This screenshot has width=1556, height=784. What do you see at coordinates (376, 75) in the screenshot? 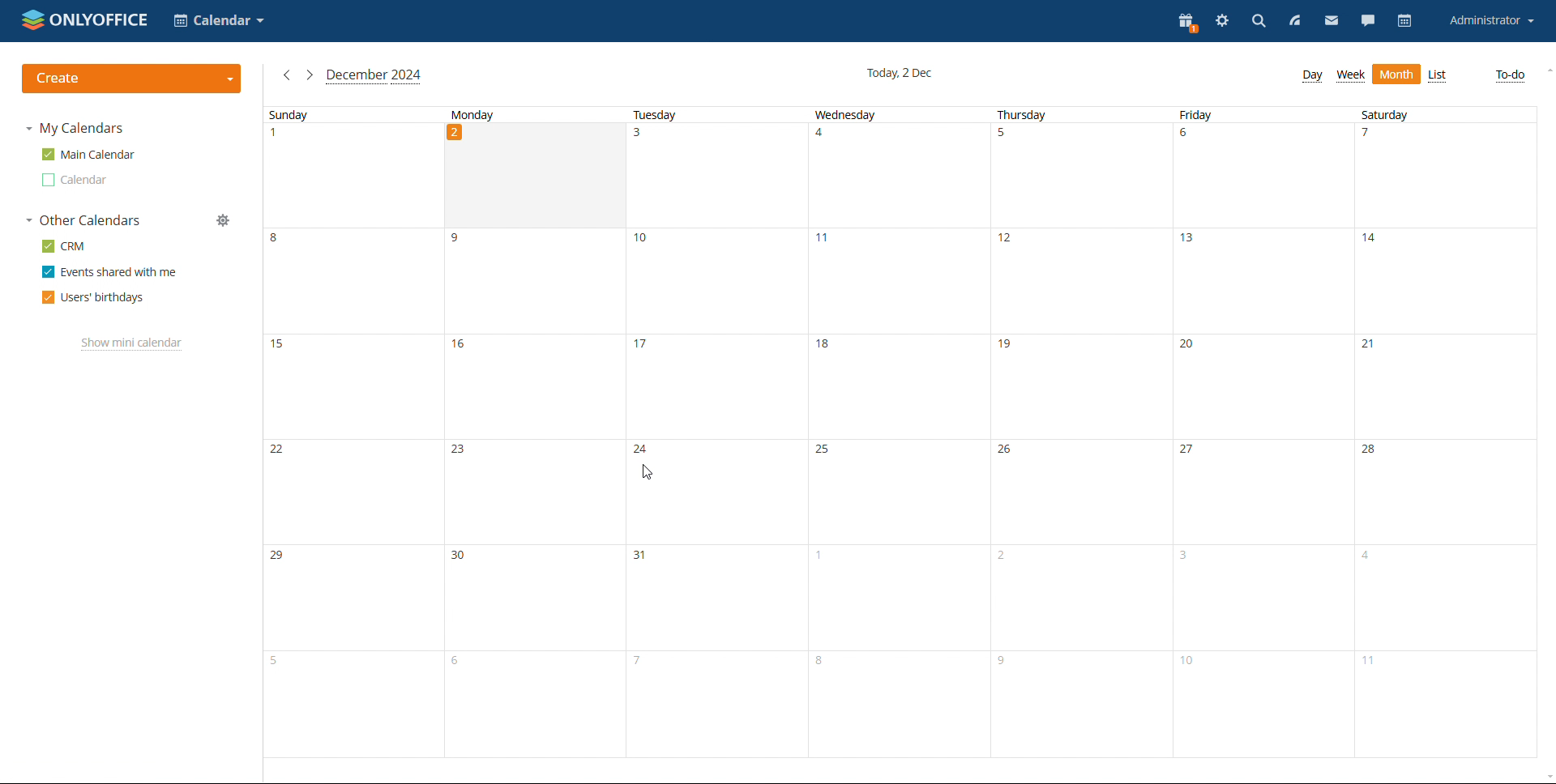
I see `December 2024` at bounding box center [376, 75].